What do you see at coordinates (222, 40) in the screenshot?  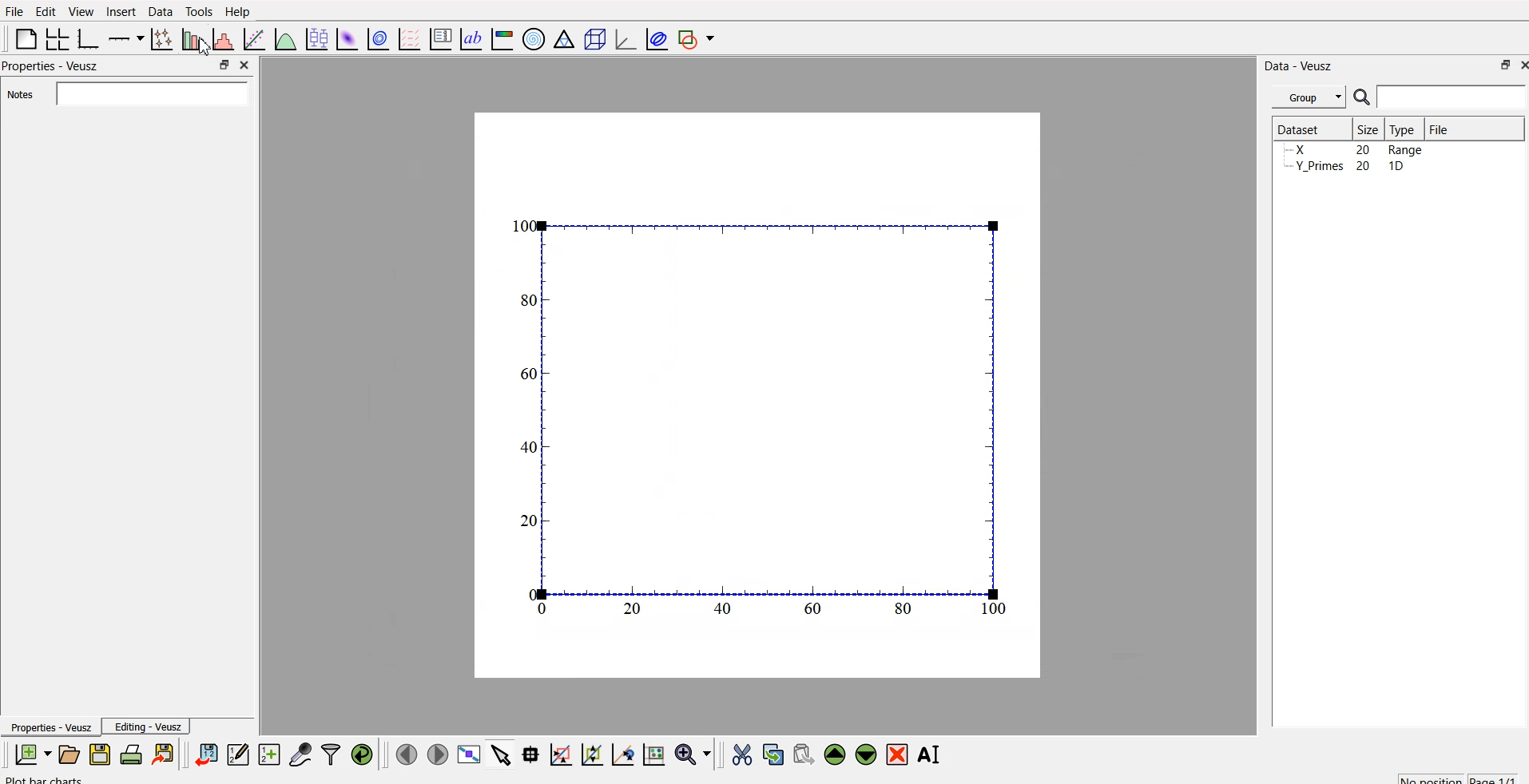 I see `histogram of dataset` at bounding box center [222, 40].